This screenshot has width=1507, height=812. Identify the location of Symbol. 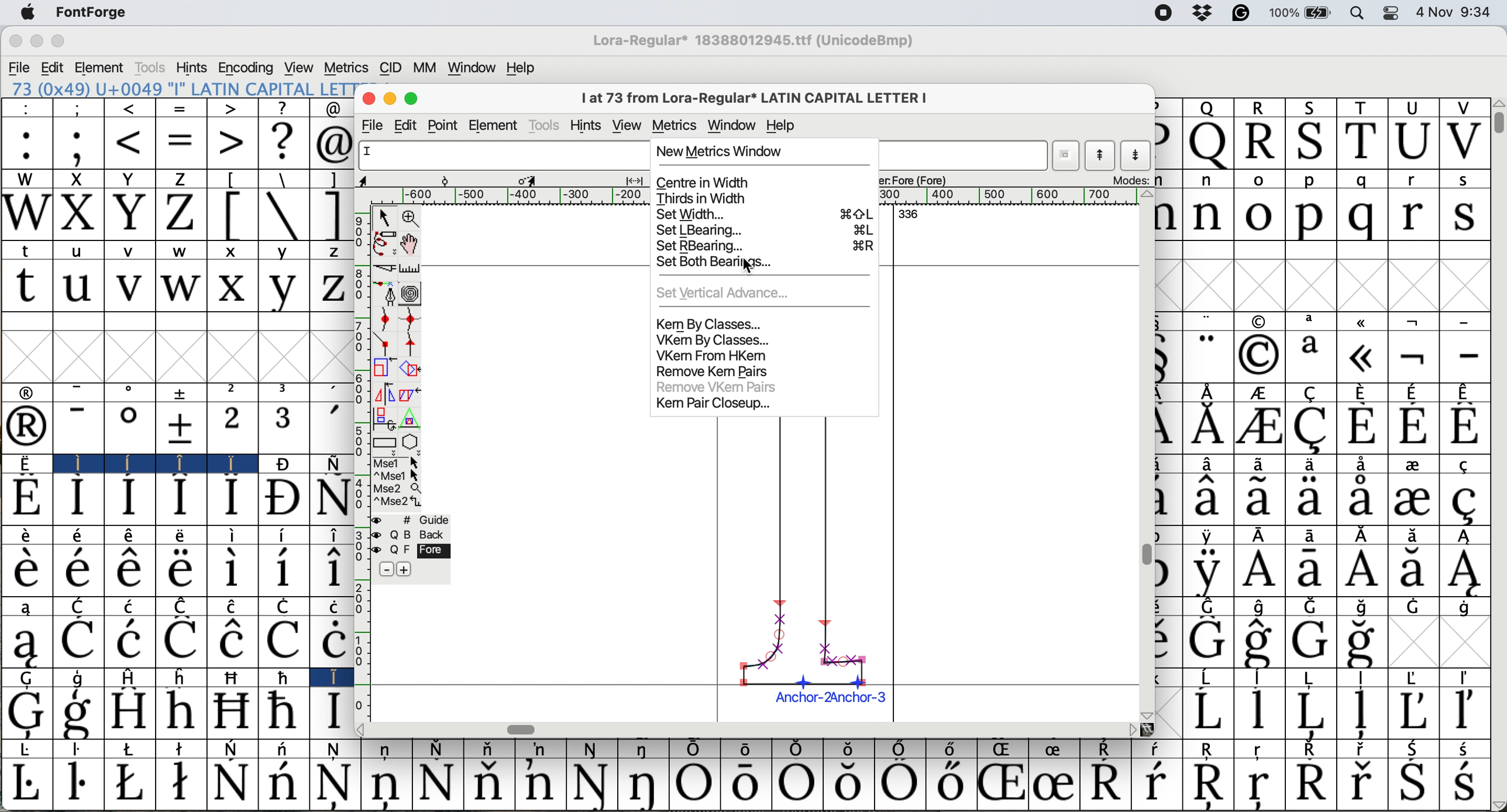
(1261, 499).